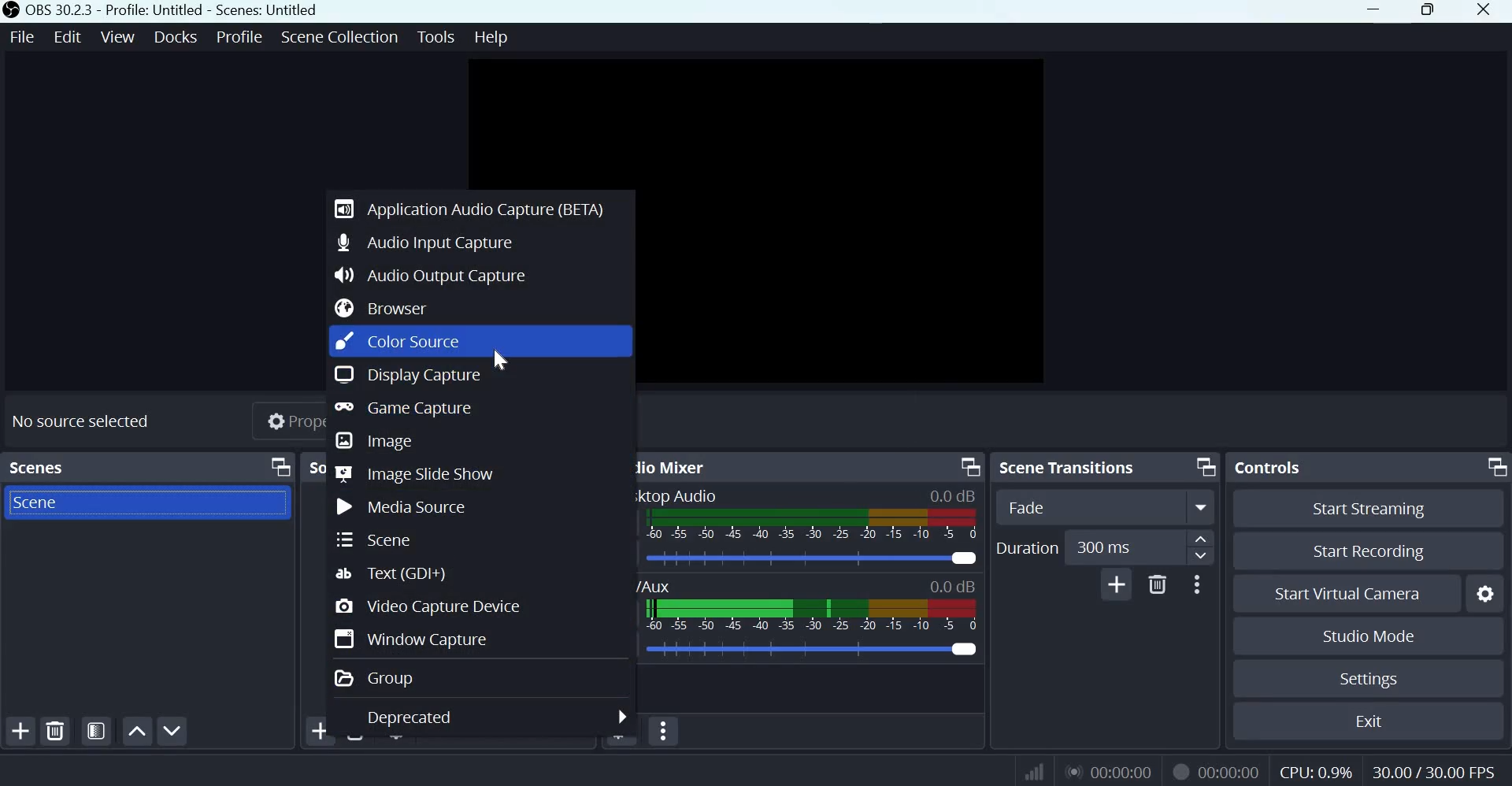 This screenshot has width=1512, height=786. I want to click on Frame Rate (FPS), so click(1429, 770).